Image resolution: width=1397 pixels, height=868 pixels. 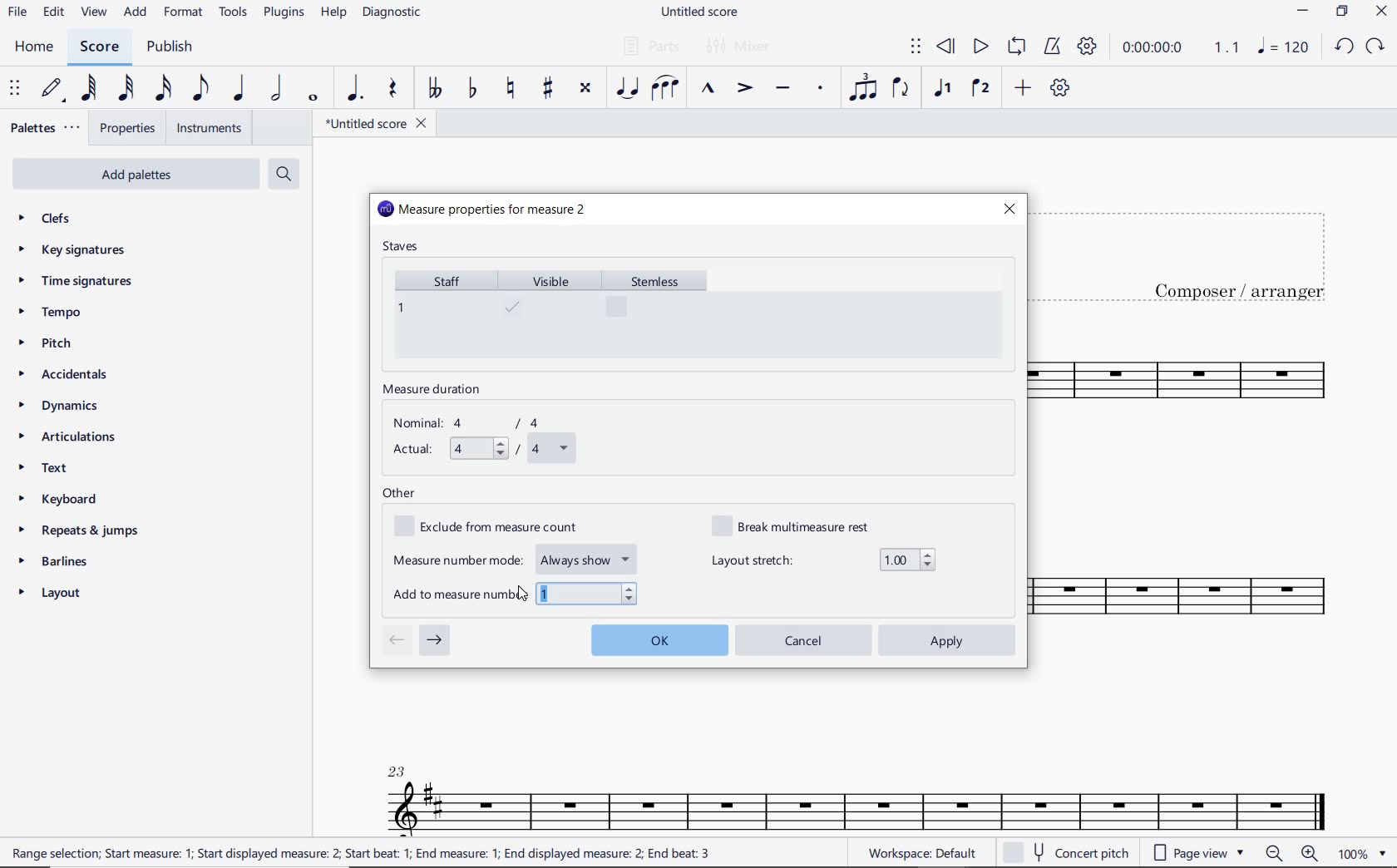 I want to click on zoom factor, so click(x=1360, y=854).